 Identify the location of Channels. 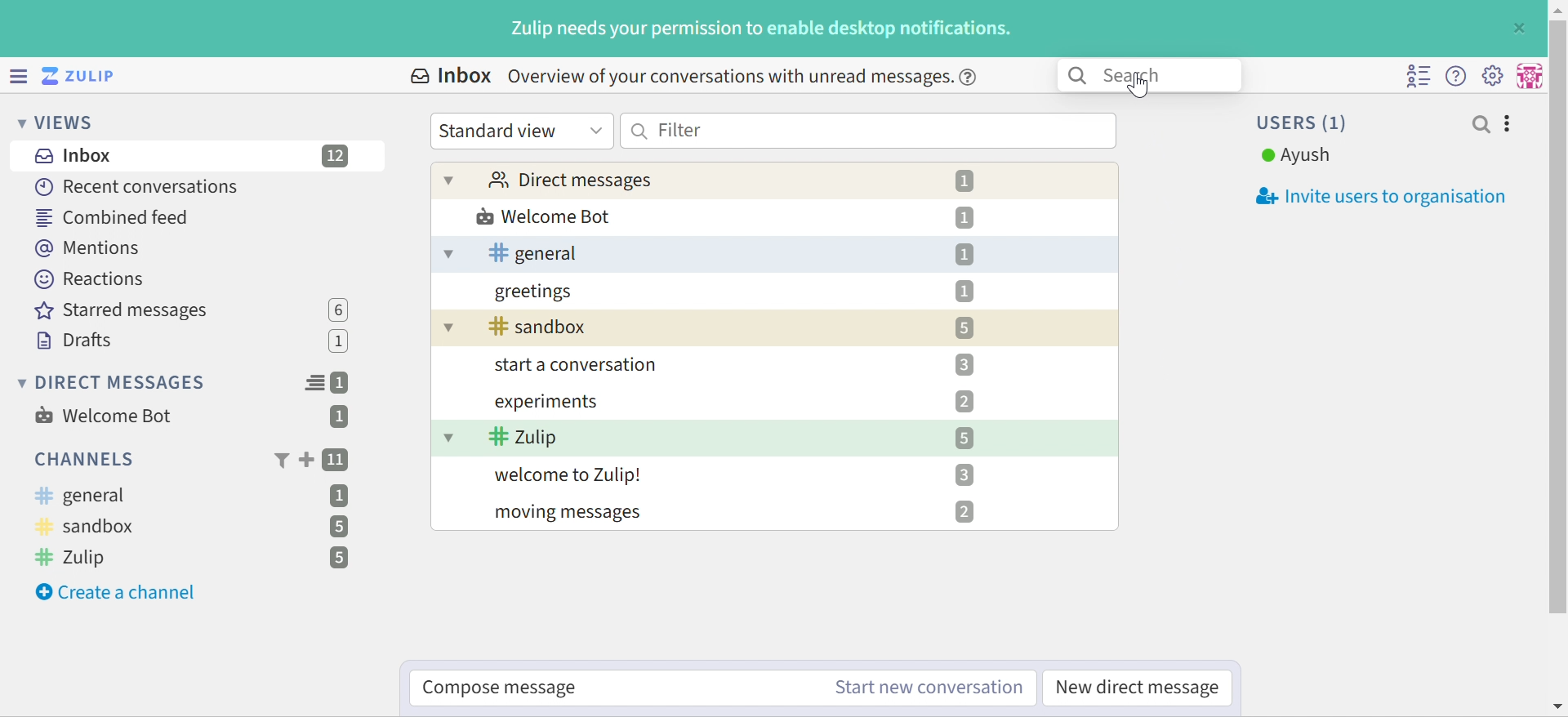
(82, 459).